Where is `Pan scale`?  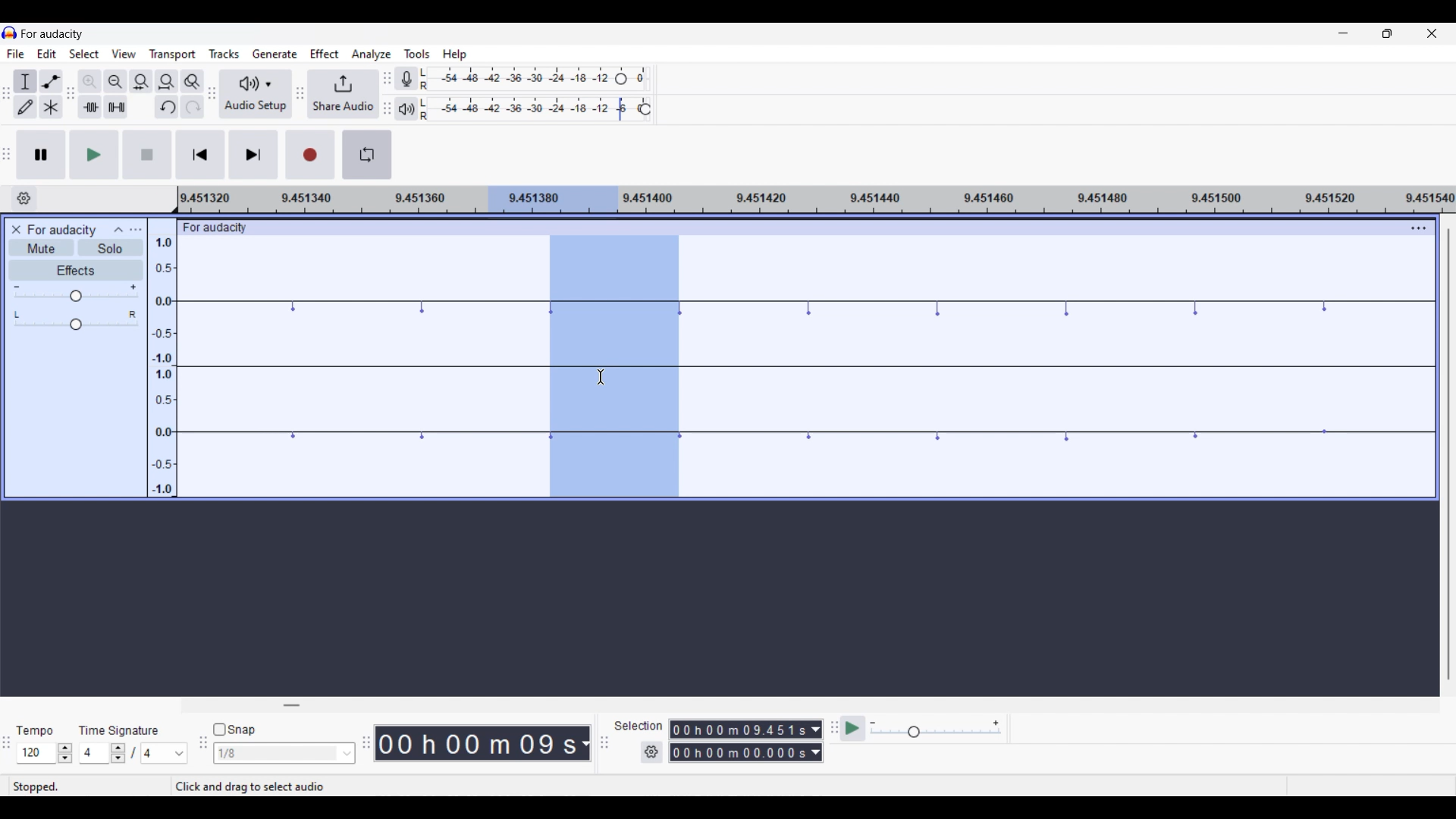
Pan scale is located at coordinates (76, 320).